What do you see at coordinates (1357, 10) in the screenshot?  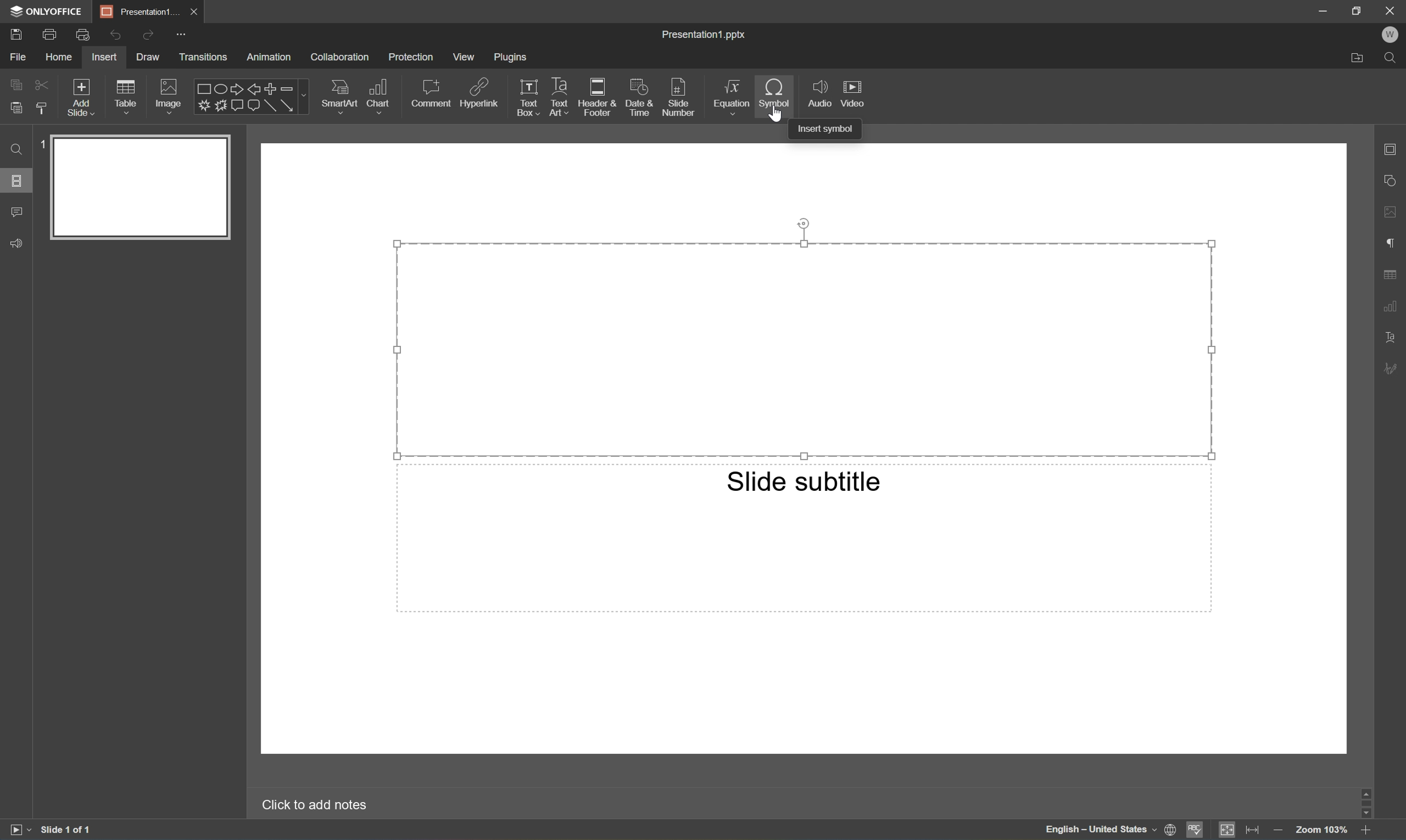 I see `Restore Down` at bounding box center [1357, 10].